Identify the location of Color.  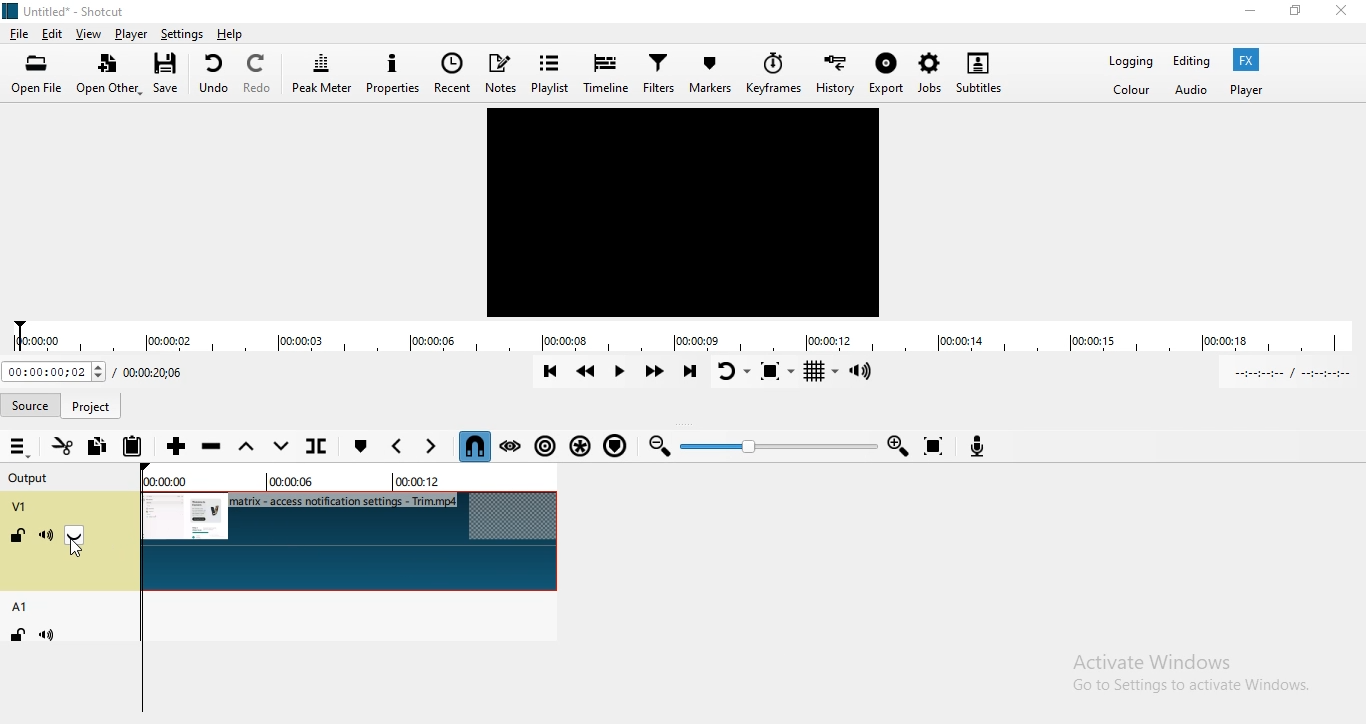
(1134, 91).